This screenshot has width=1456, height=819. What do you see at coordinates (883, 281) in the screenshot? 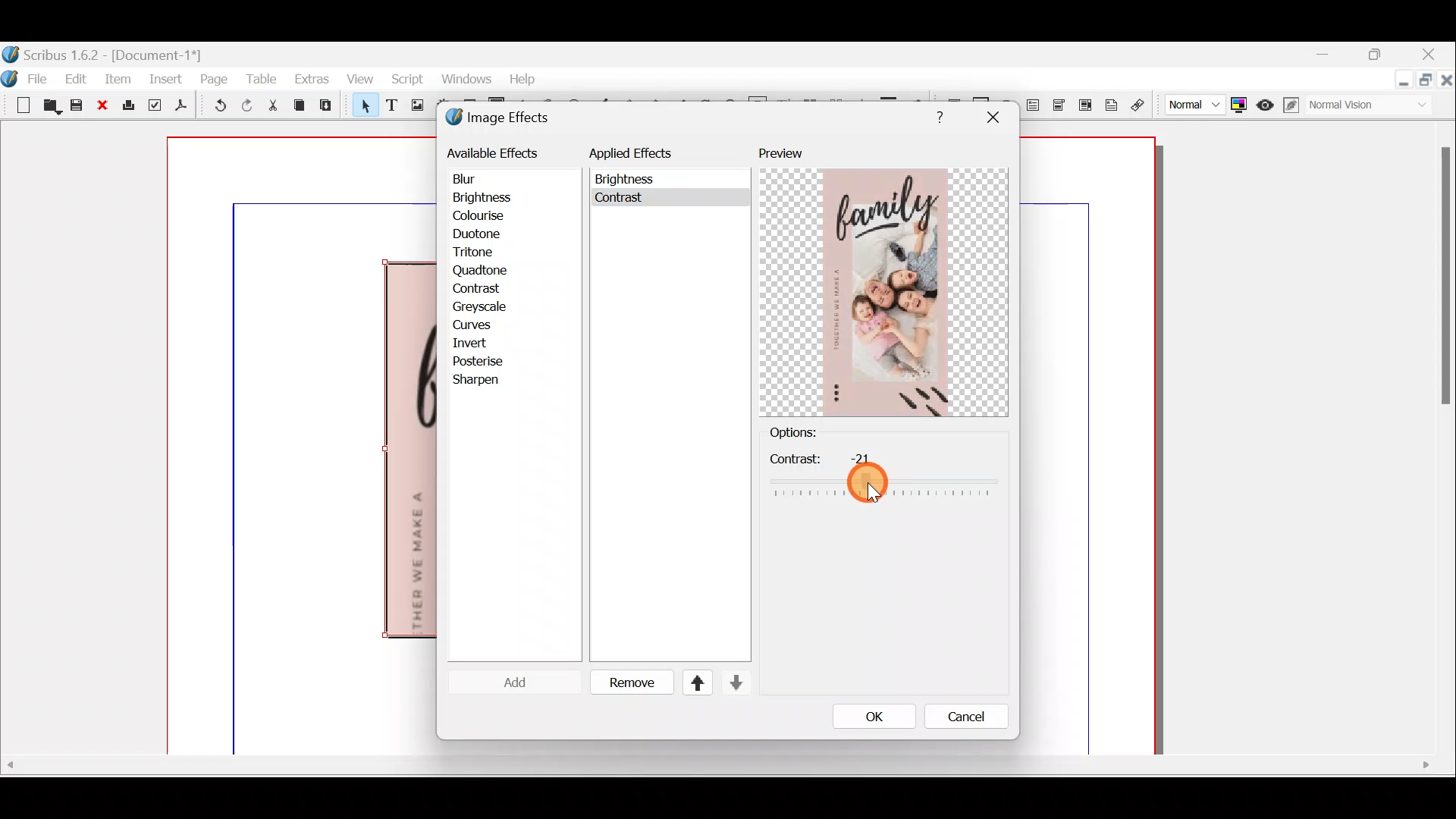
I see `Preview` at bounding box center [883, 281].